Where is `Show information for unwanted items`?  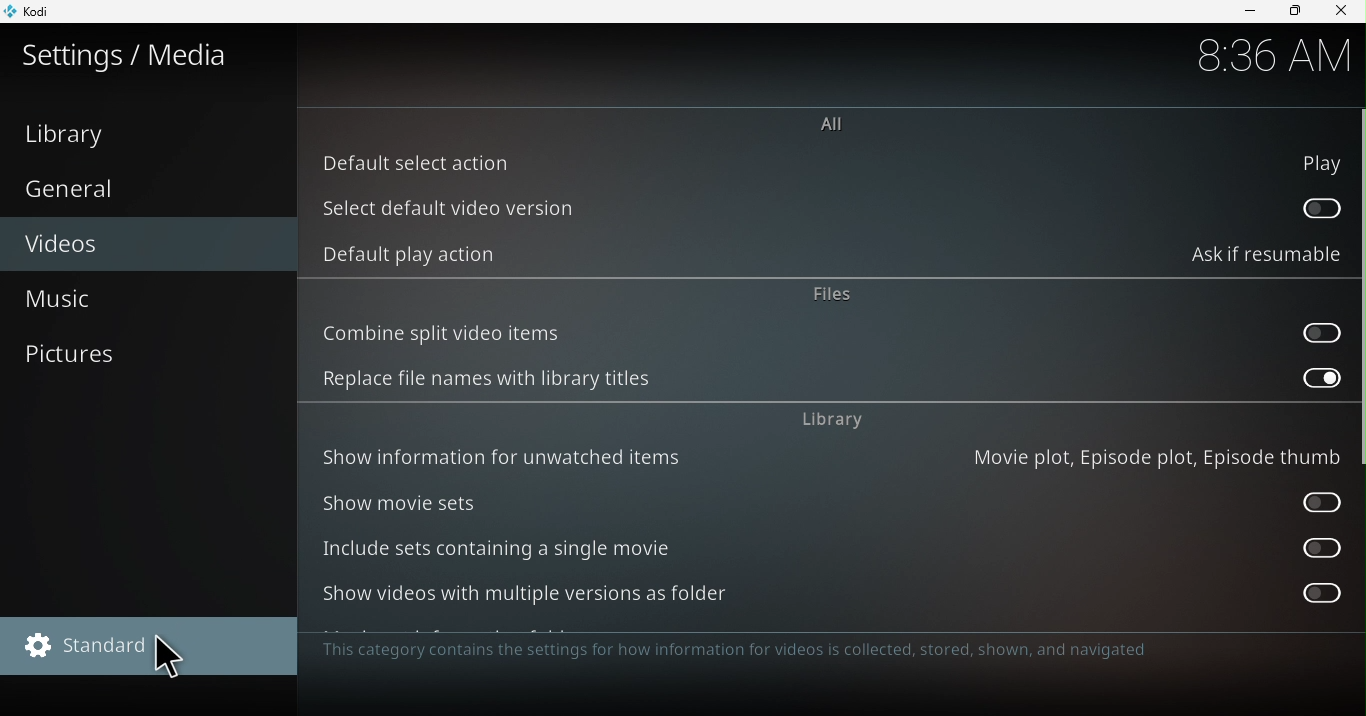
Show information for unwanted items is located at coordinates (826, 458).